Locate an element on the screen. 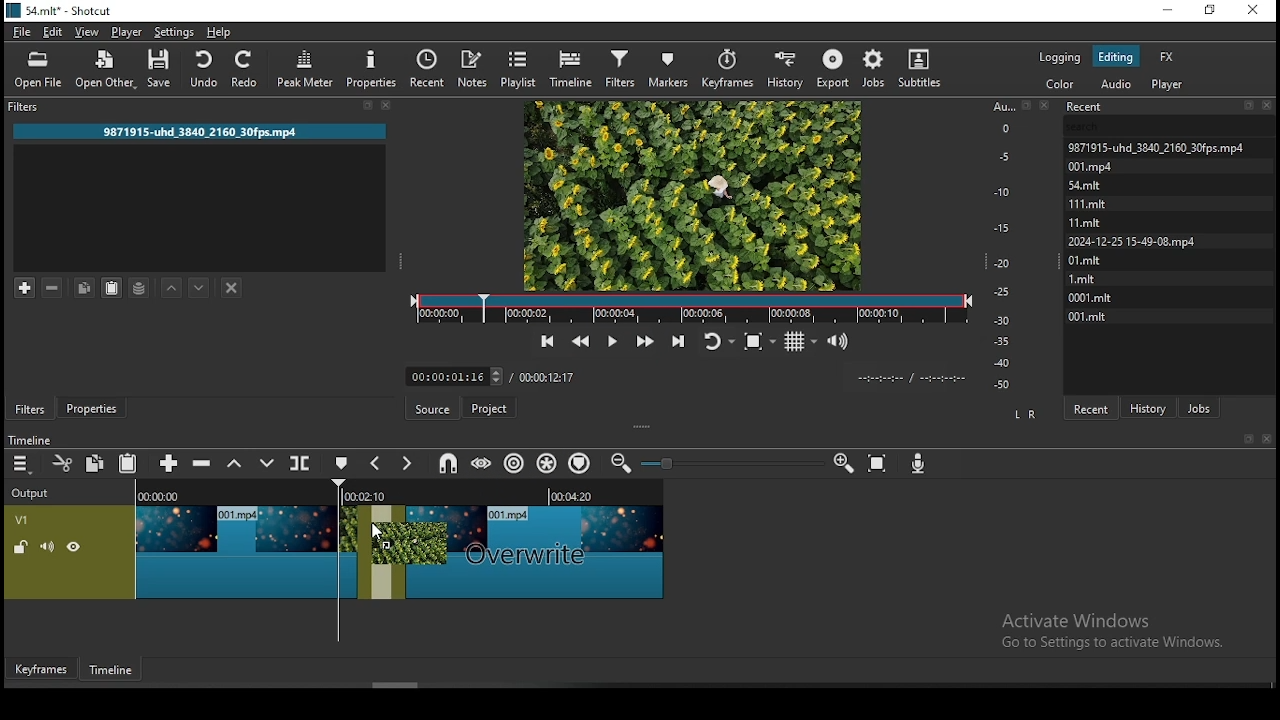 The image size is (1280, 720). properties is located at coordinates (372, 68).